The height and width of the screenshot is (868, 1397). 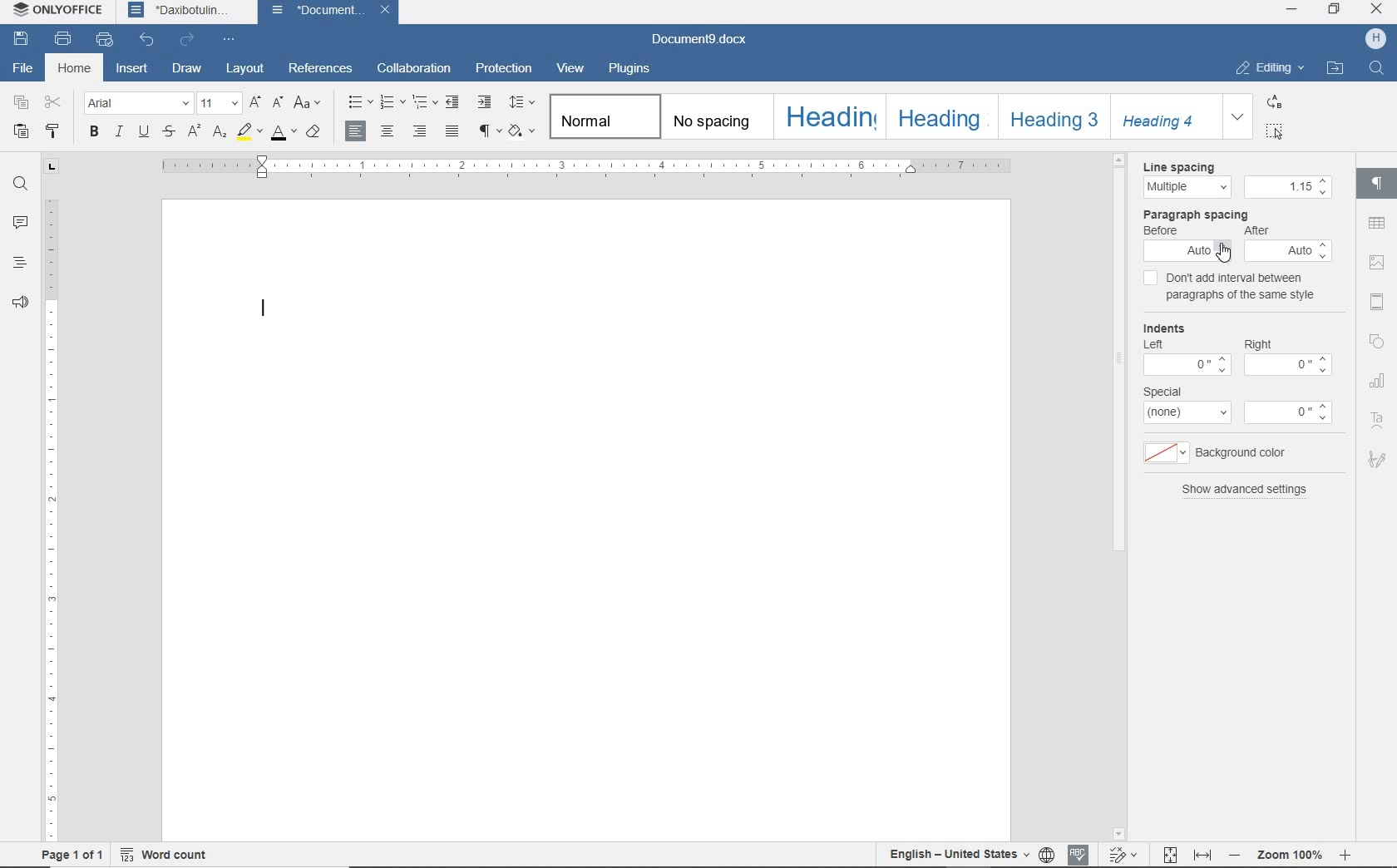 I want to click on zoom in, so click(x=1345, y=855).